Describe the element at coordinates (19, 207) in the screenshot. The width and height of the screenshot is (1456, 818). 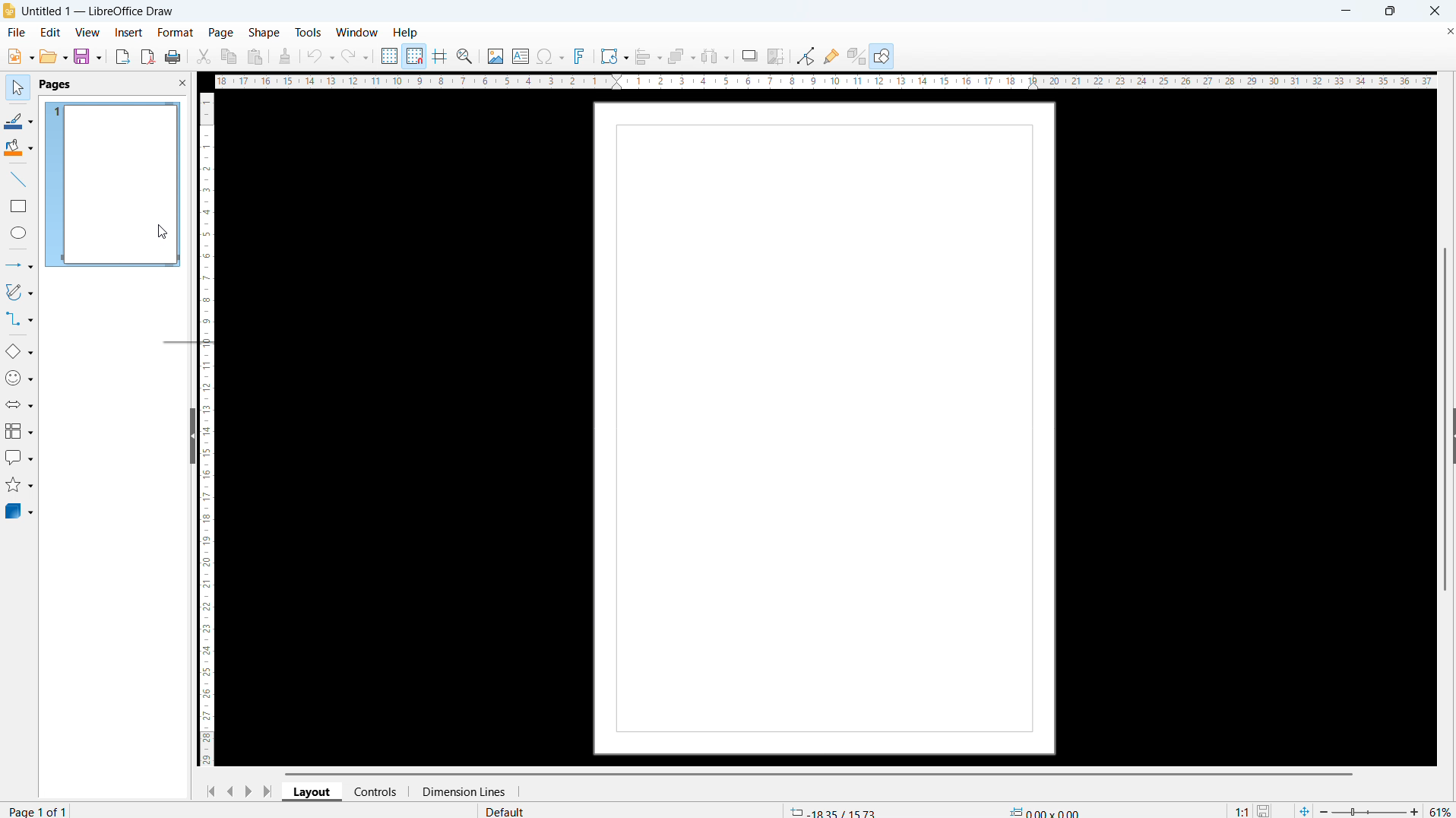
I see `rectangle` at that location.